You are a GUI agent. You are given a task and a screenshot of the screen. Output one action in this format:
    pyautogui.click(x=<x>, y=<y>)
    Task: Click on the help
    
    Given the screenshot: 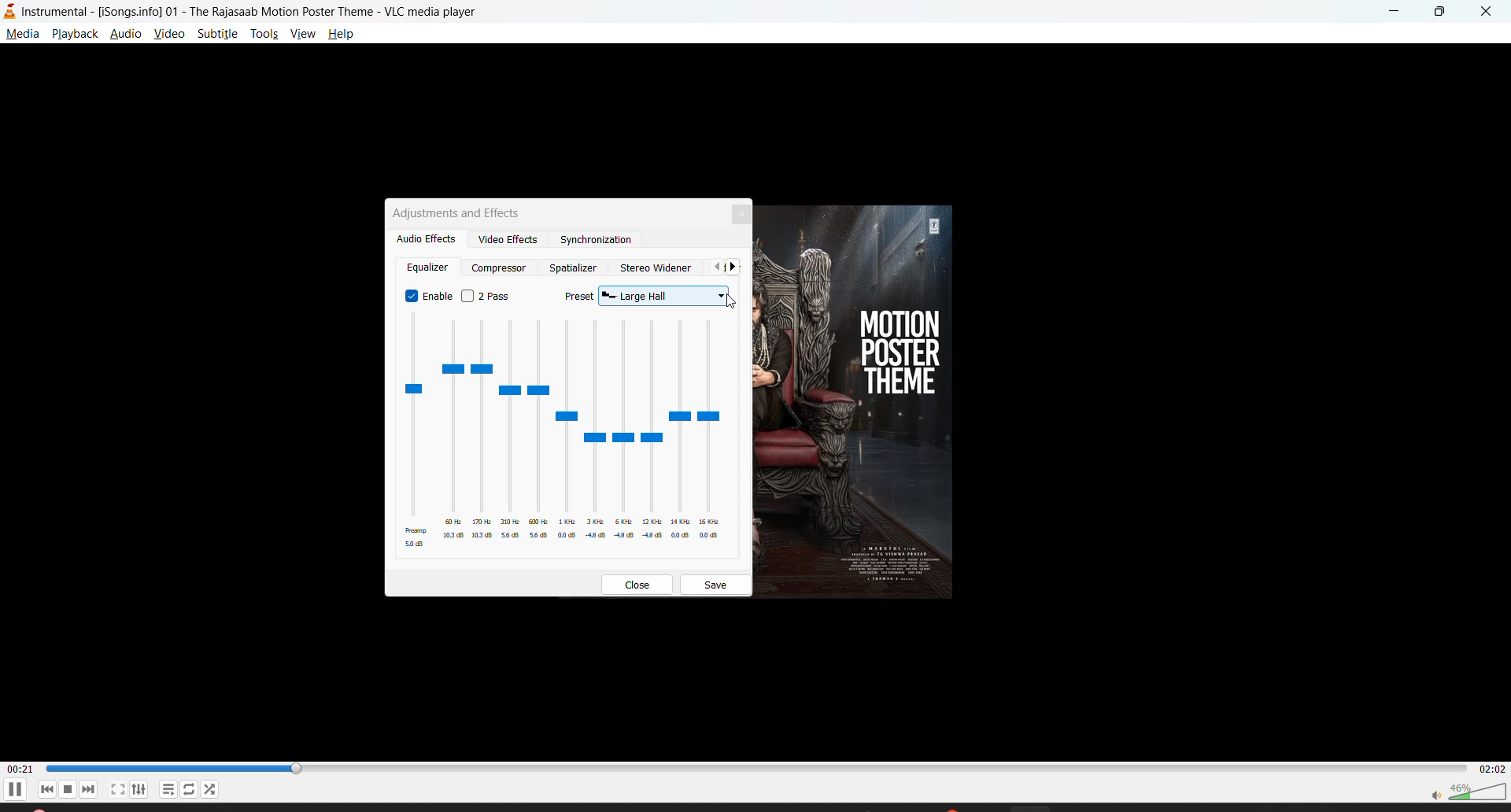 What is the action you would take?
    pyautogui.click(x=345, y=34)
    